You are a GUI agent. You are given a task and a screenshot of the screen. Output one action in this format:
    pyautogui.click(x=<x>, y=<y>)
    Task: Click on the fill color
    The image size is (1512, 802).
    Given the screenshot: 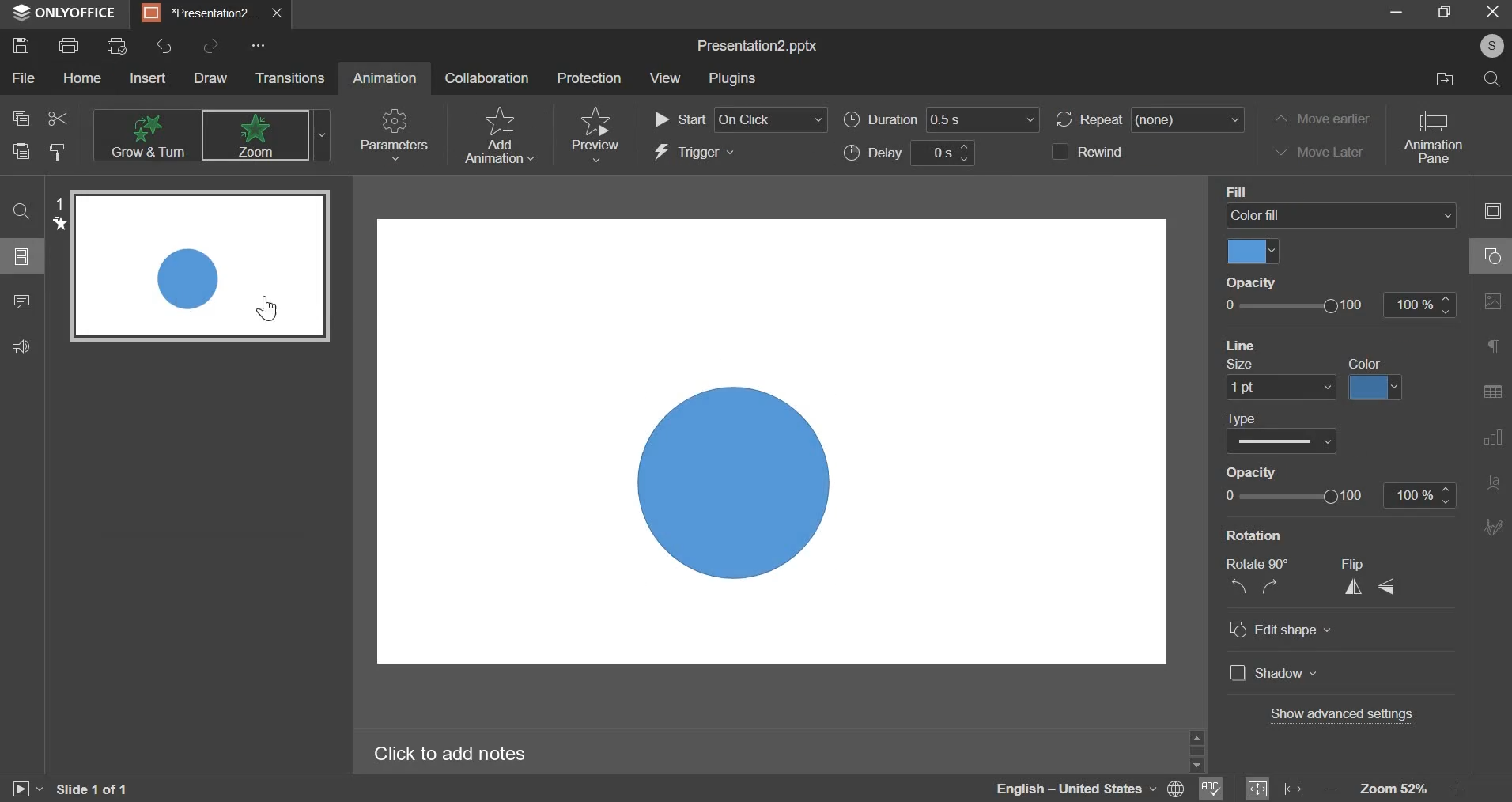 What is the action you would take?
    pyautogui.click(x=1253, y=252)
    